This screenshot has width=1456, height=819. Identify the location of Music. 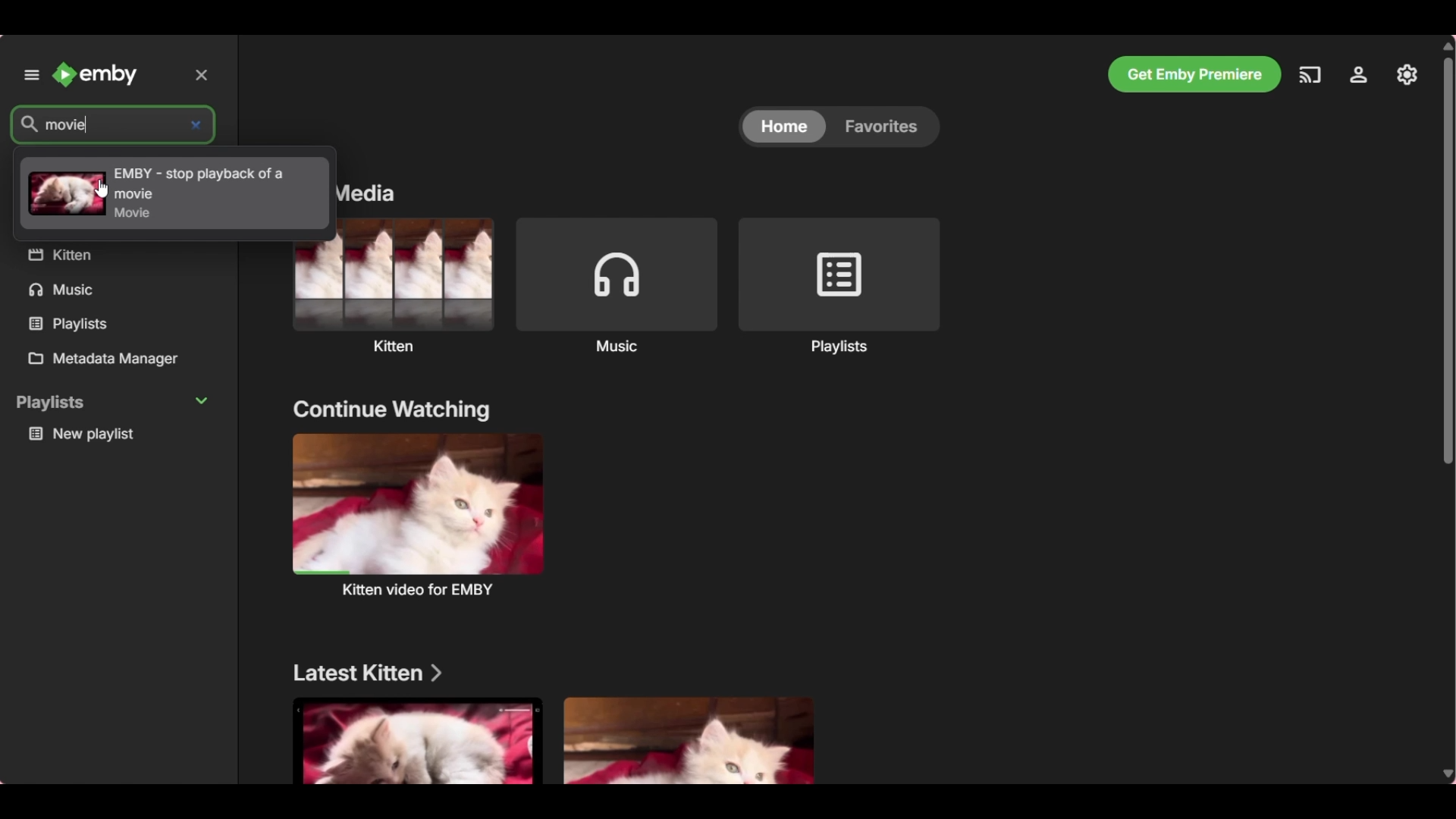
(615, 284).